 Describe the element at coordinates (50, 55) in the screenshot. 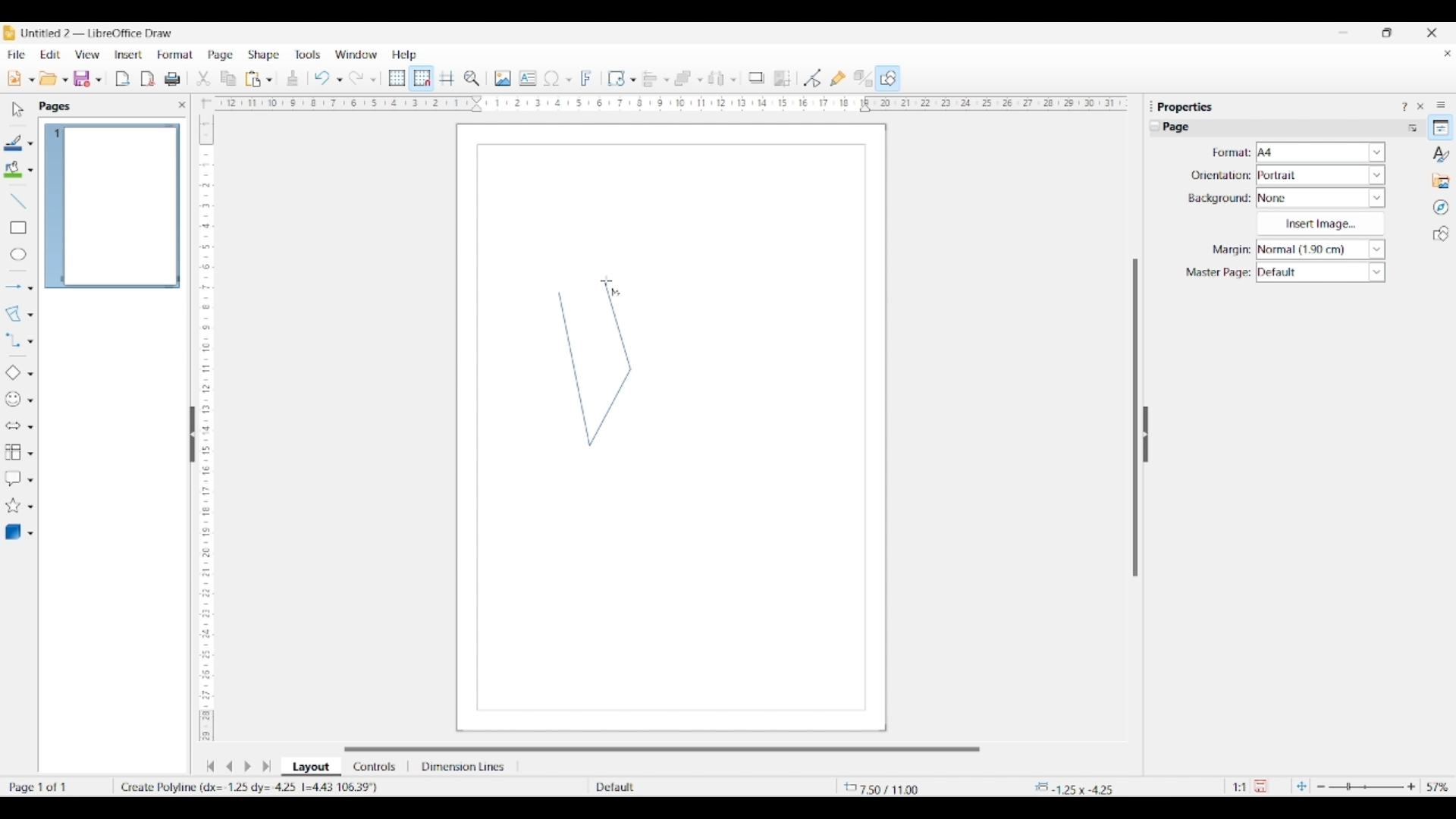

I see `Edit` at that location.